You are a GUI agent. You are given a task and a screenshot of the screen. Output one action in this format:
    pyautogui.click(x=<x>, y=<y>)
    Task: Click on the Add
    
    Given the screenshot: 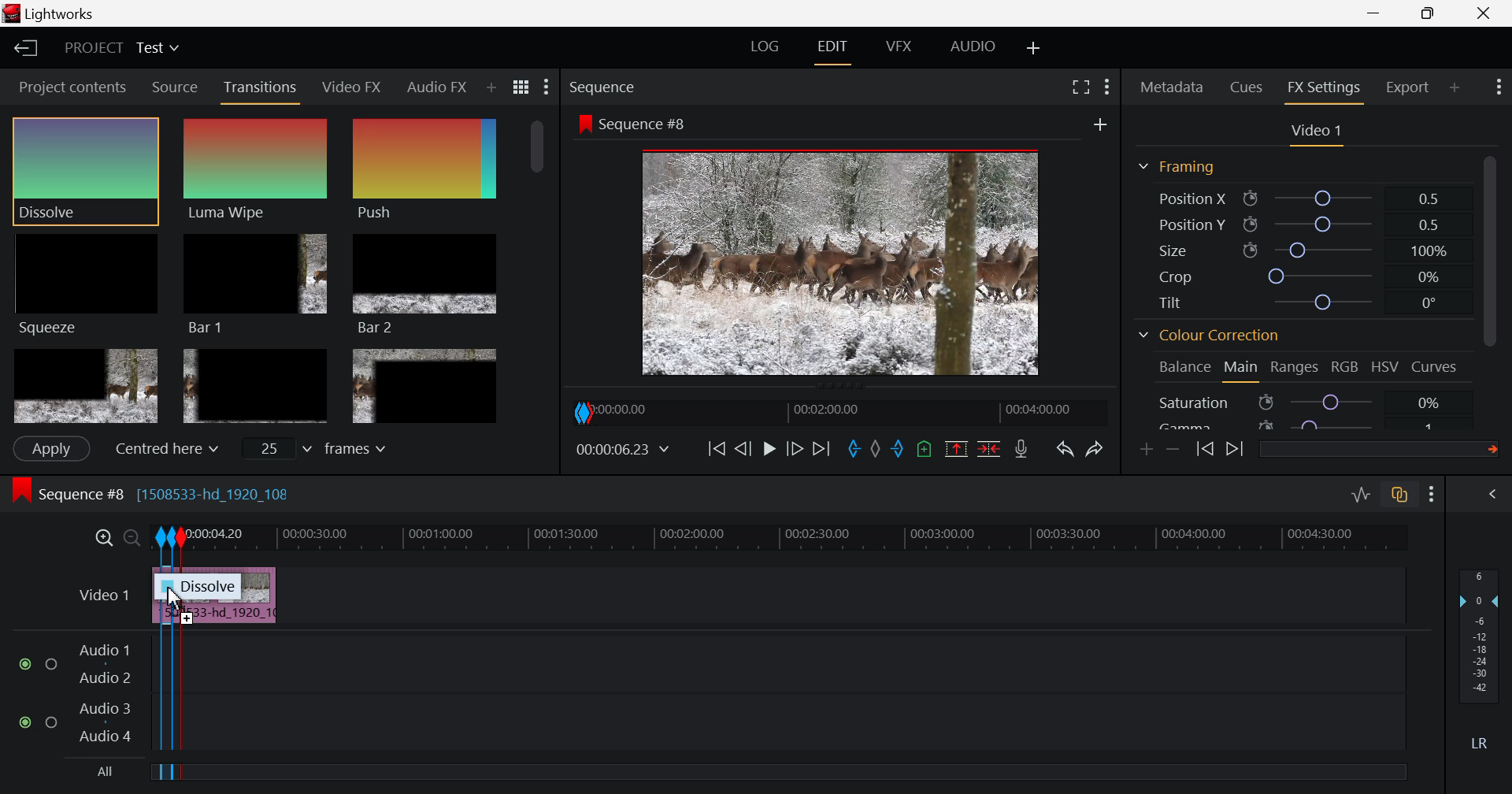 What is the action you would take?
    pyautogui.click(x=1100, y=124)
    